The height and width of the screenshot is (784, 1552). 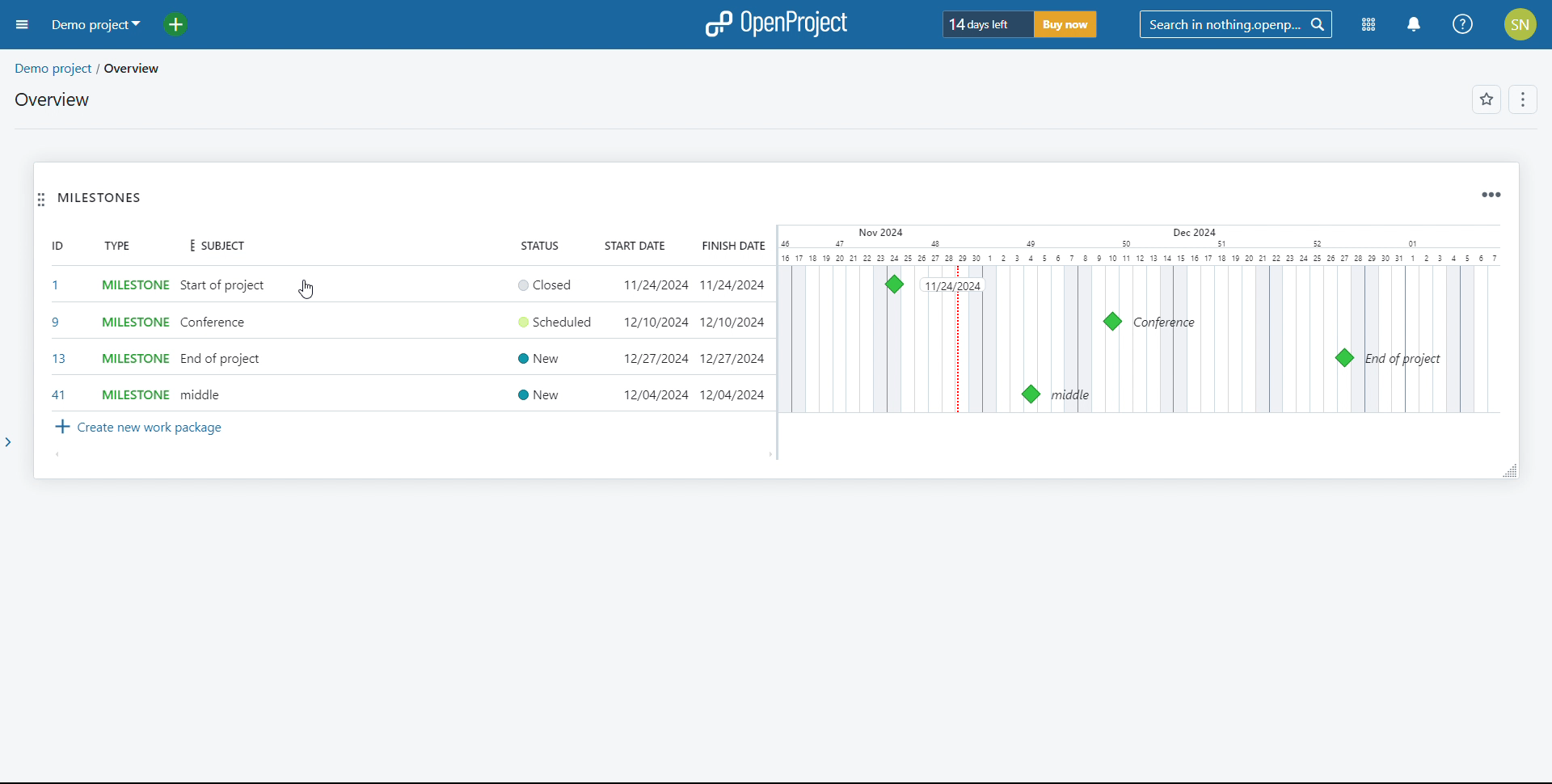 I want to click on RE], so click(x=52, y=360).